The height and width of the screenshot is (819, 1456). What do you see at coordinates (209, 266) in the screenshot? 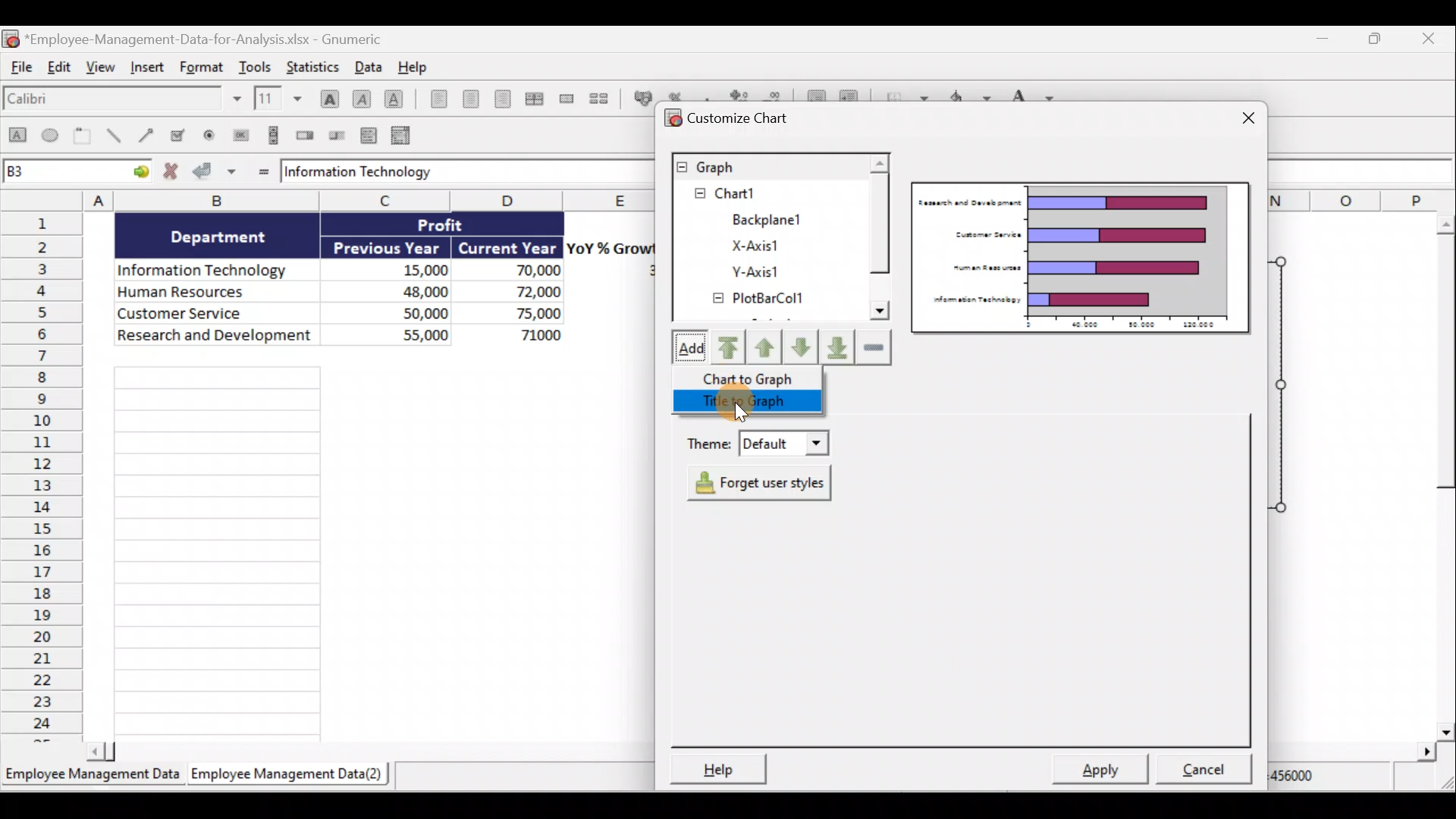
I see `Information Technology` at bounding box center [209, 266].